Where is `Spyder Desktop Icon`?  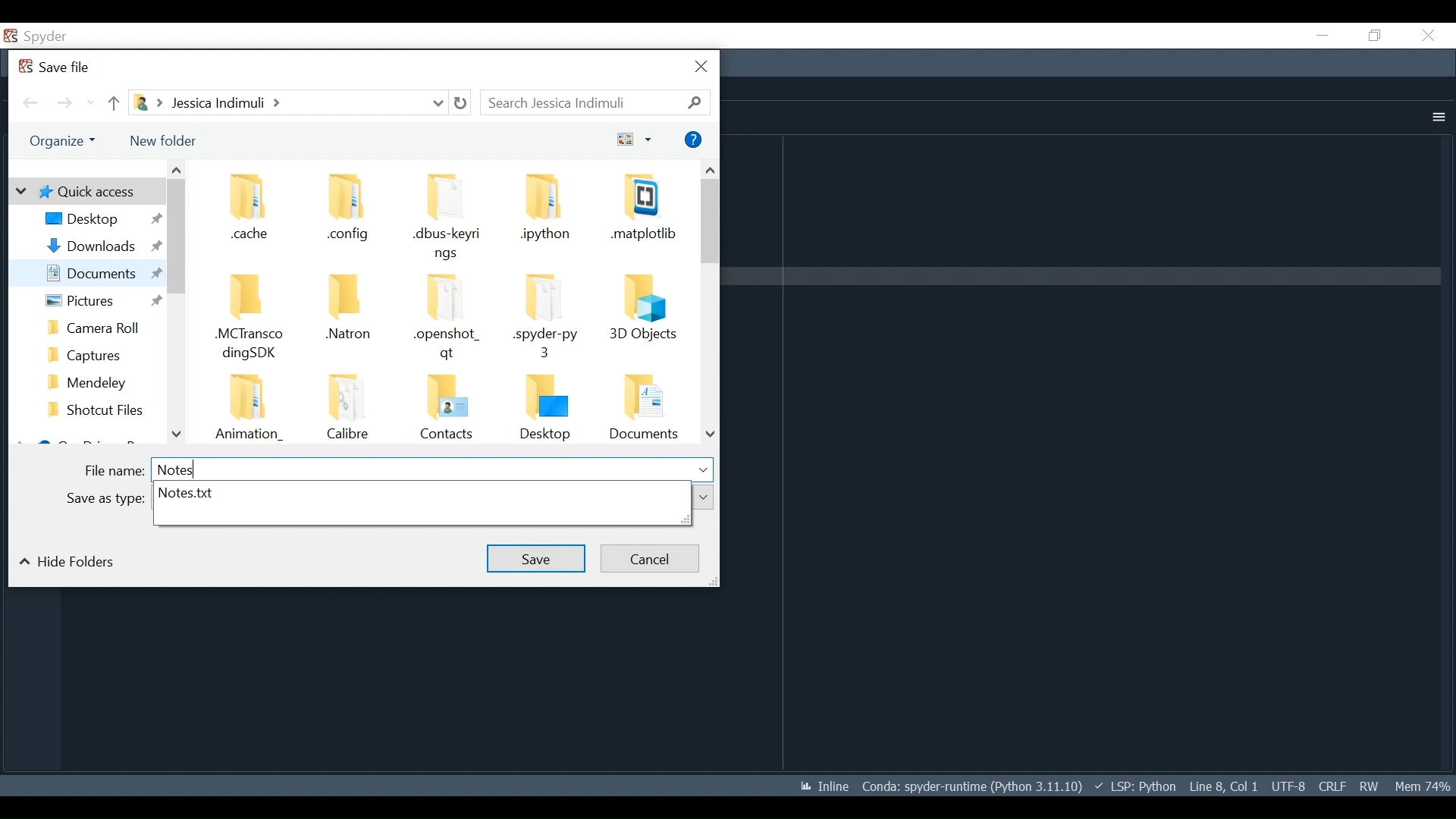 Spyder Desktop Icon is located at coordinates (11, 37).